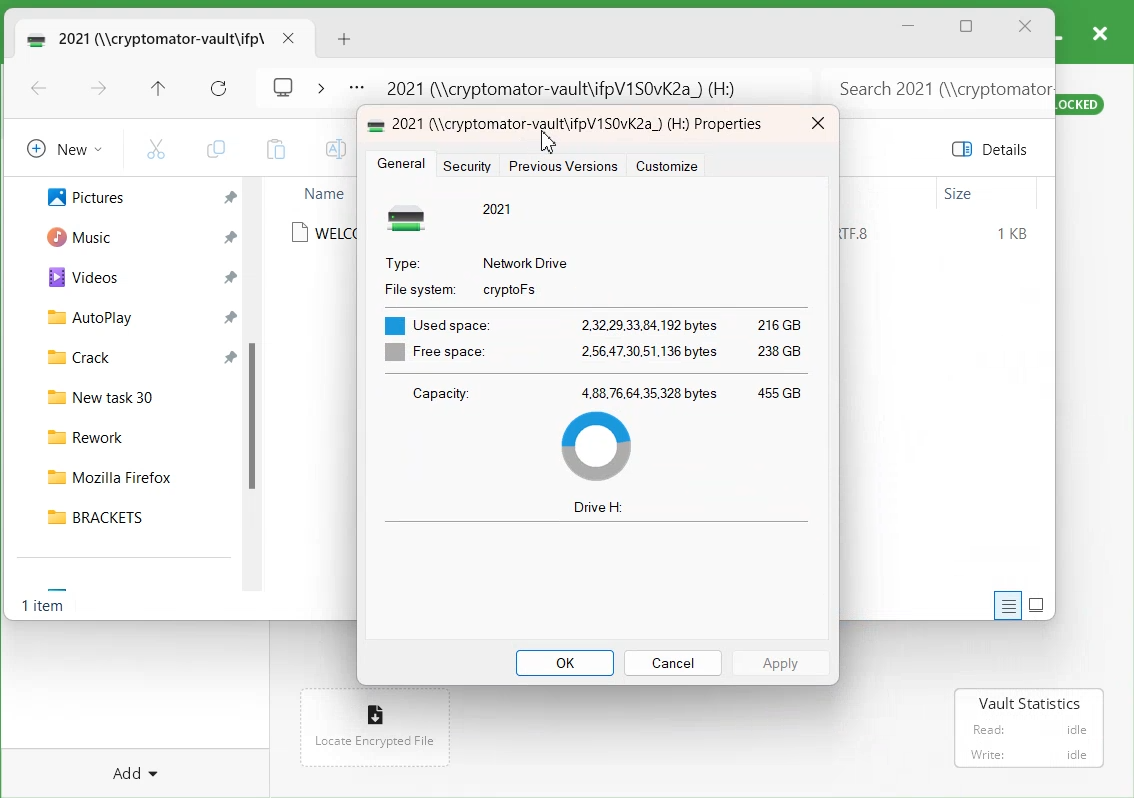  What do you see at coordinates (373, 742) in the screenshot?
I see `Locate Encrypted File` at bounding box center [373, 742].